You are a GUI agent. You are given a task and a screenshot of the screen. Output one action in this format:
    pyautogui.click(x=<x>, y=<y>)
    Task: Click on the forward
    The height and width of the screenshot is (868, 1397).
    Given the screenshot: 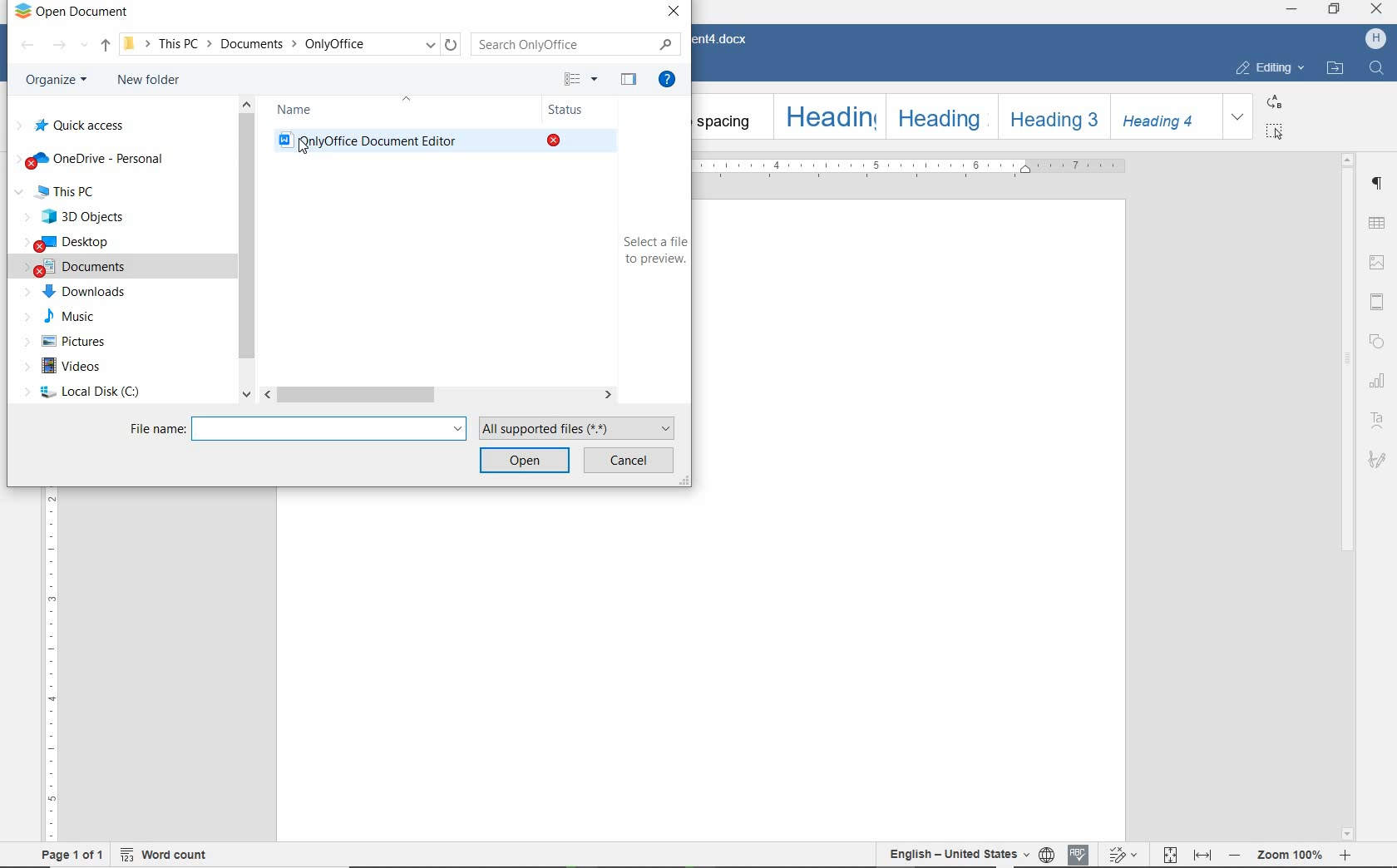 What is the action you would take?
    pyautogui.click(x=59, y=45)
    